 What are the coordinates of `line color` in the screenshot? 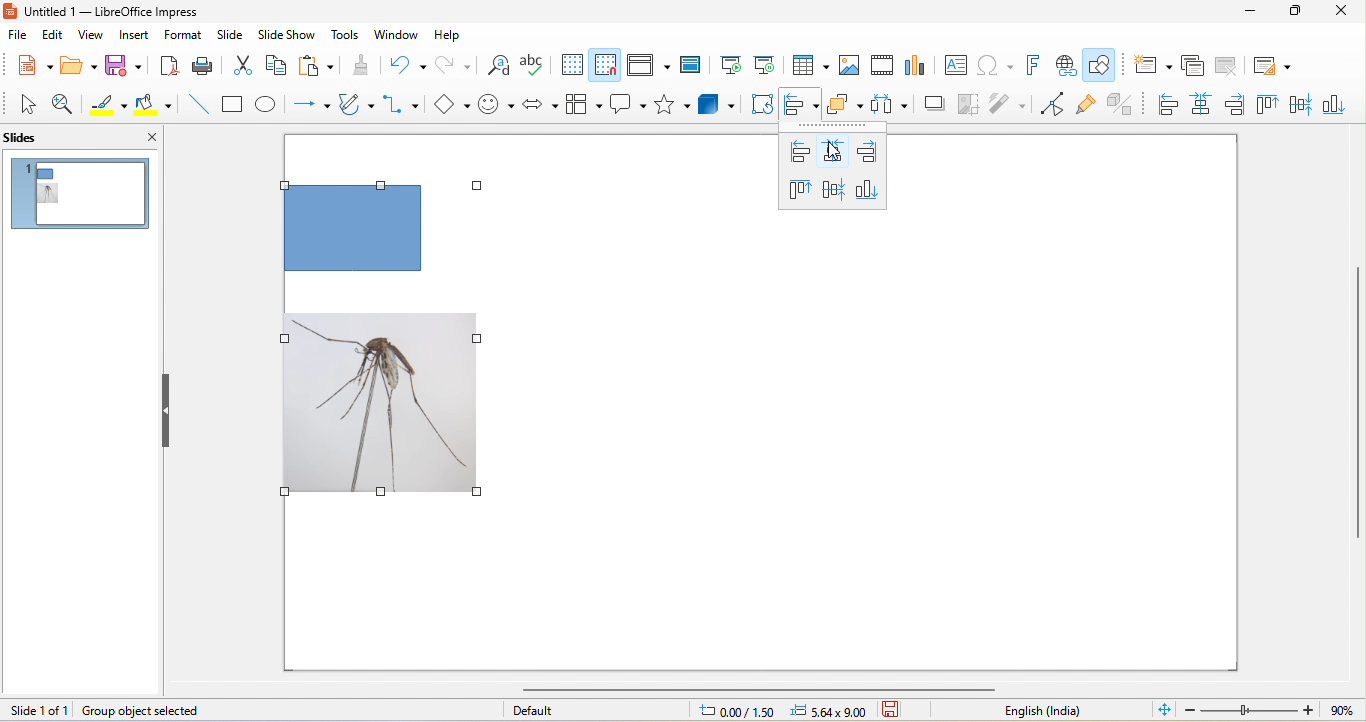 It's located at (108, 103).